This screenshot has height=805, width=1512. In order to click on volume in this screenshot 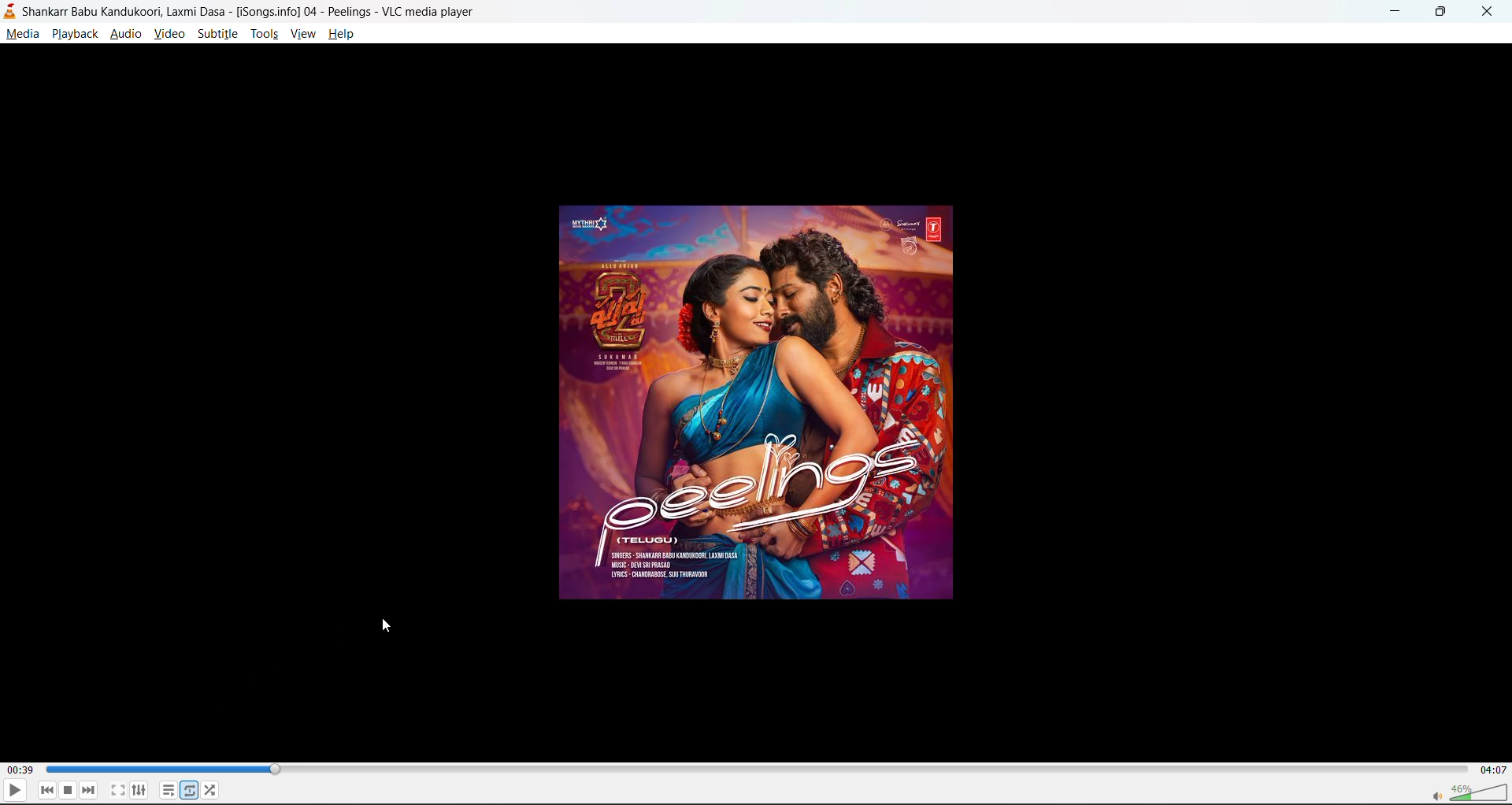, I will do `click(1473, 792)`.